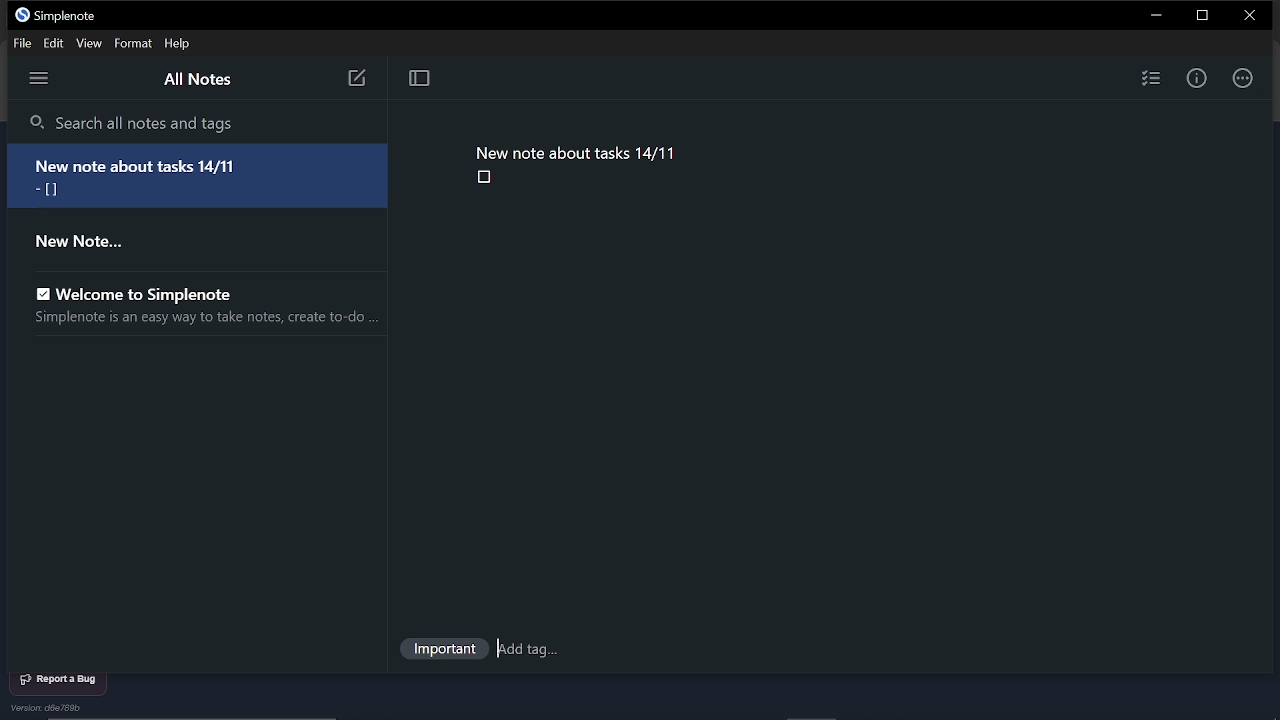  What do you see at coordinates (143, 294) in the screenshot?
I see `Welcome to Simplenote` at bounding box center [143, 294].